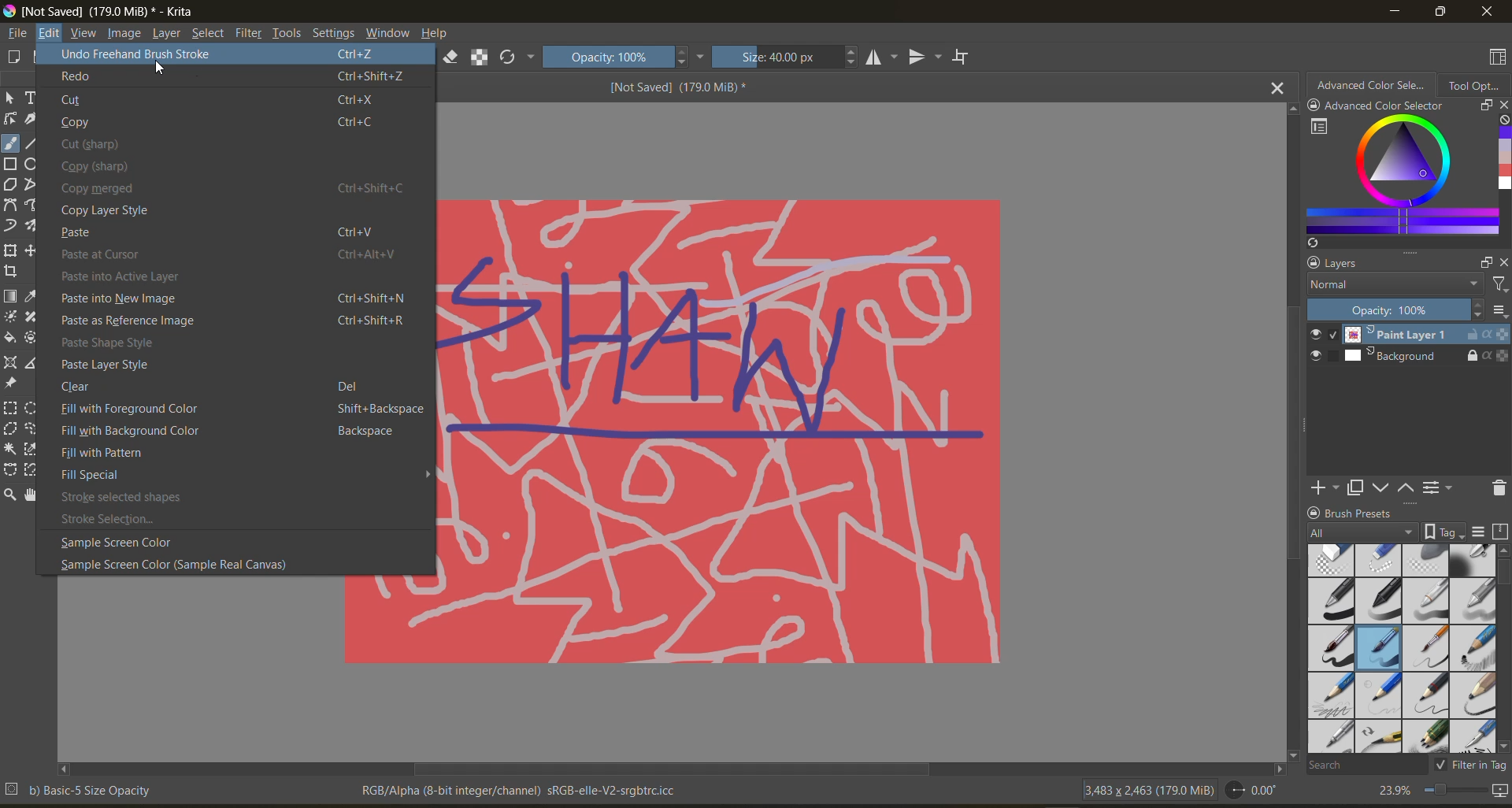 The height and width of the screenshot is (808, 1512). Describe the element at coordinates (1319, 347) in the screenshot. I see `preview` at that location.